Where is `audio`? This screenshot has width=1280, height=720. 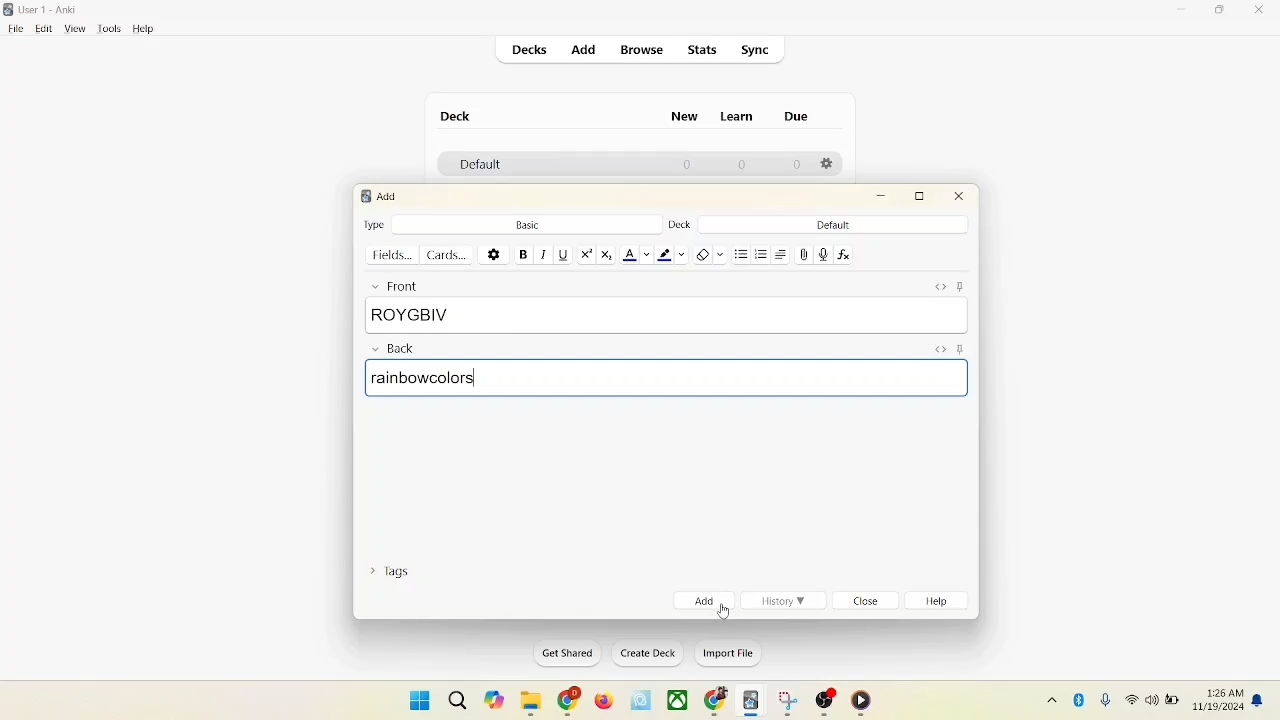
audio is located at coordinates (824, 254).